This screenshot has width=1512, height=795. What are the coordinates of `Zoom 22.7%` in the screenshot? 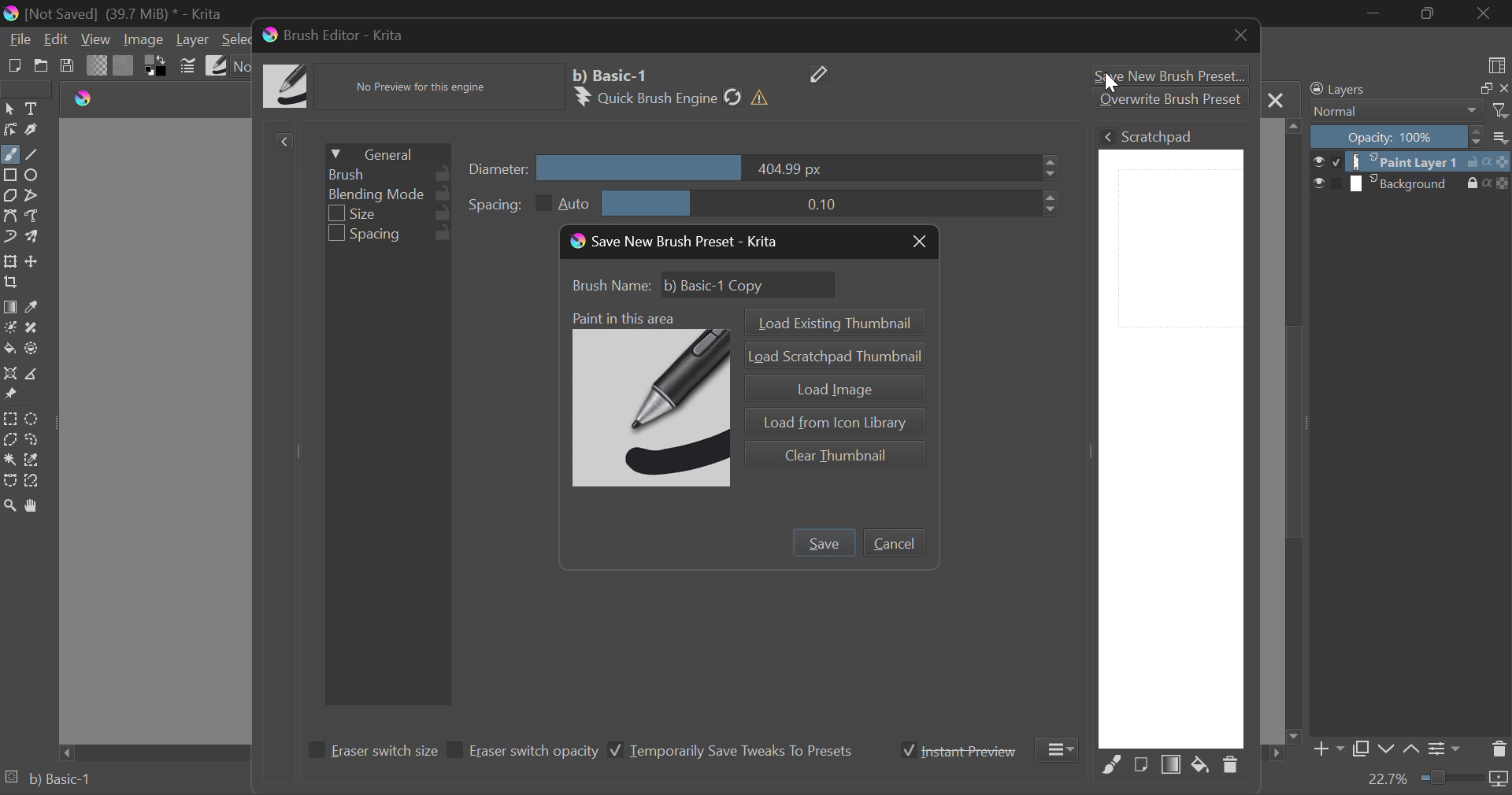 It's located at (1435, 780).